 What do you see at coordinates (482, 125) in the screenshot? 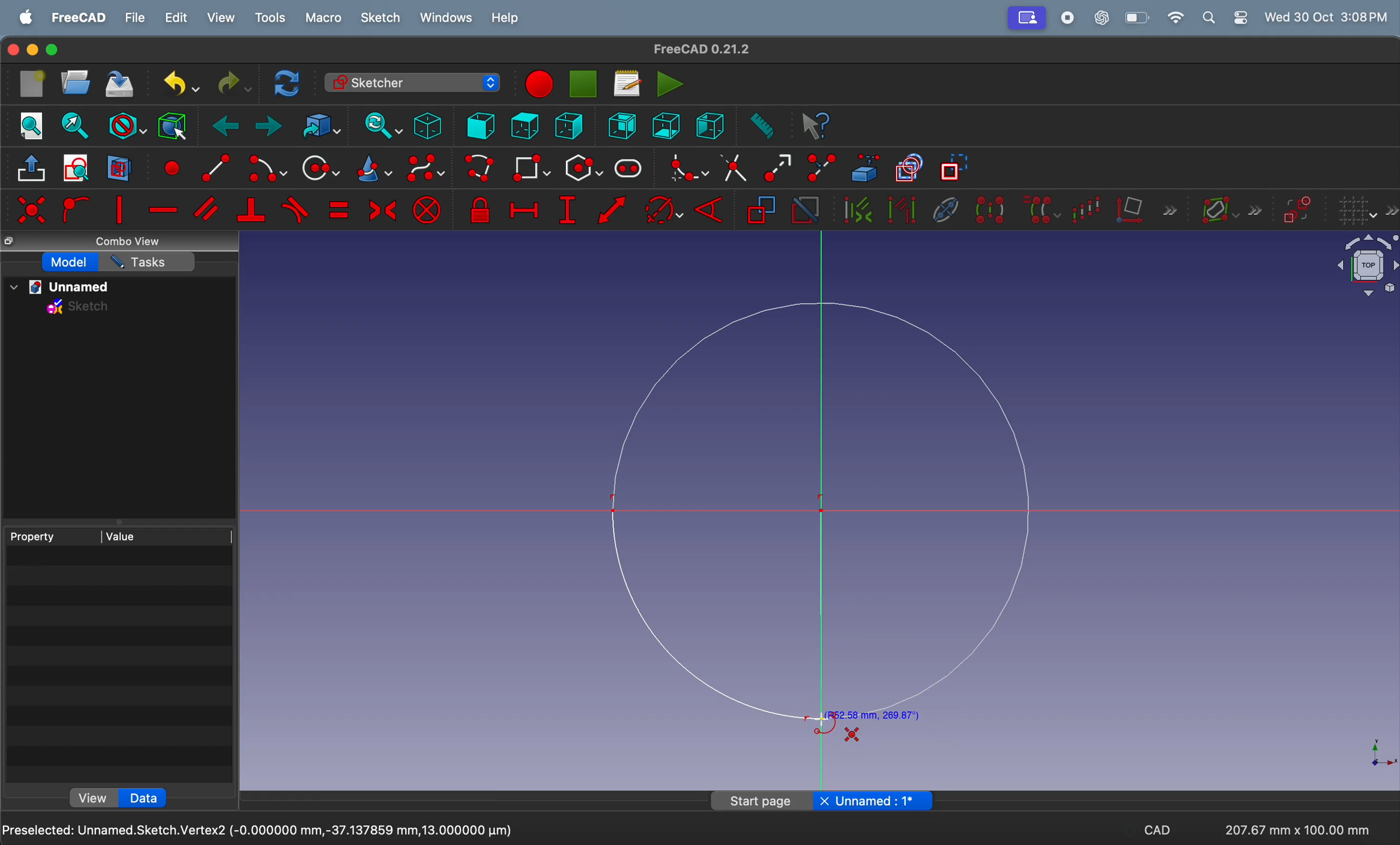
I see `front view` at bounding box center [482, 125].